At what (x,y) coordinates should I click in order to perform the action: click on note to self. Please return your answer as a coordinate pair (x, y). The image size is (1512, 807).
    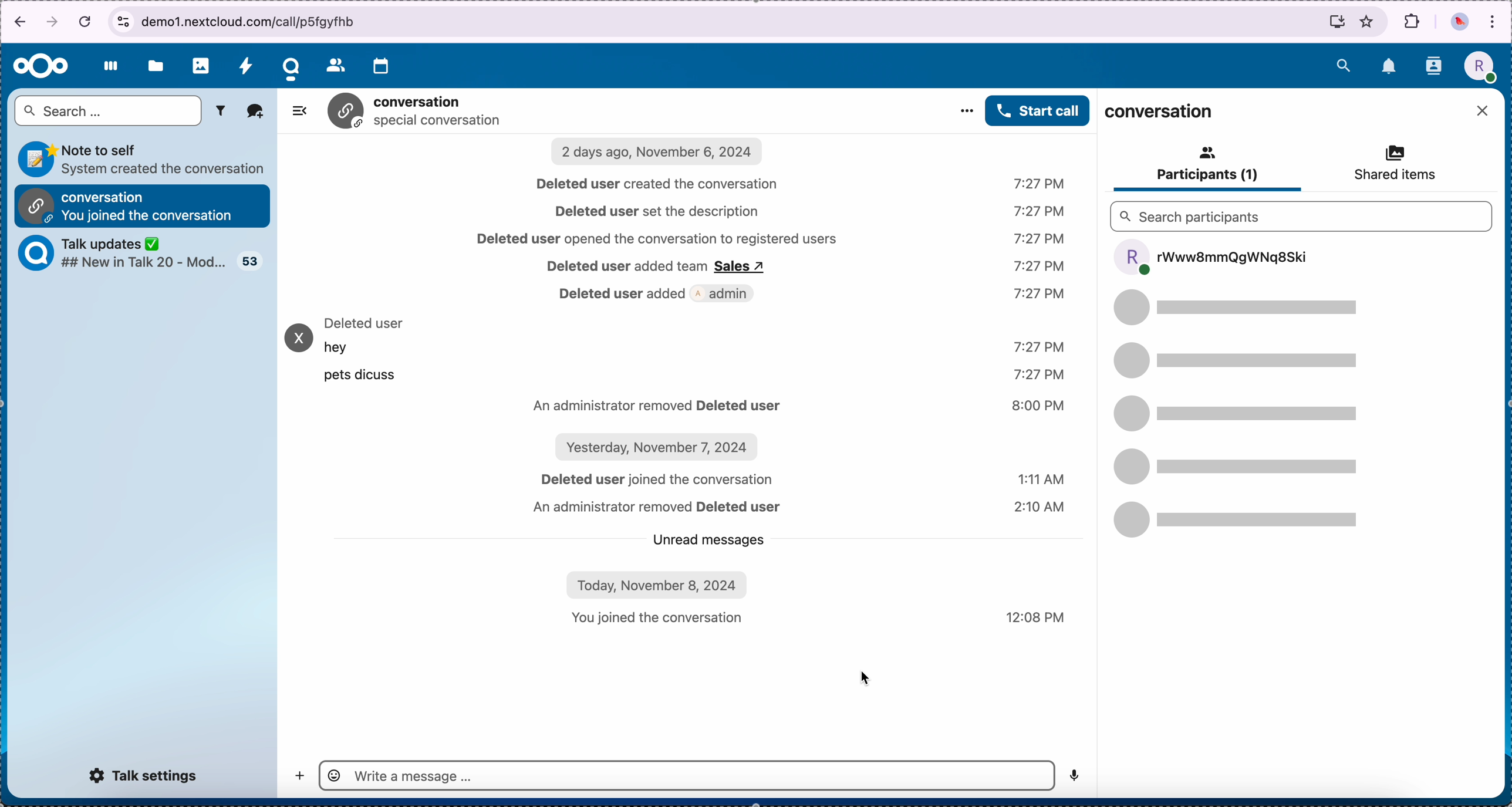
    Looking at the image, I should click on (144, 158).